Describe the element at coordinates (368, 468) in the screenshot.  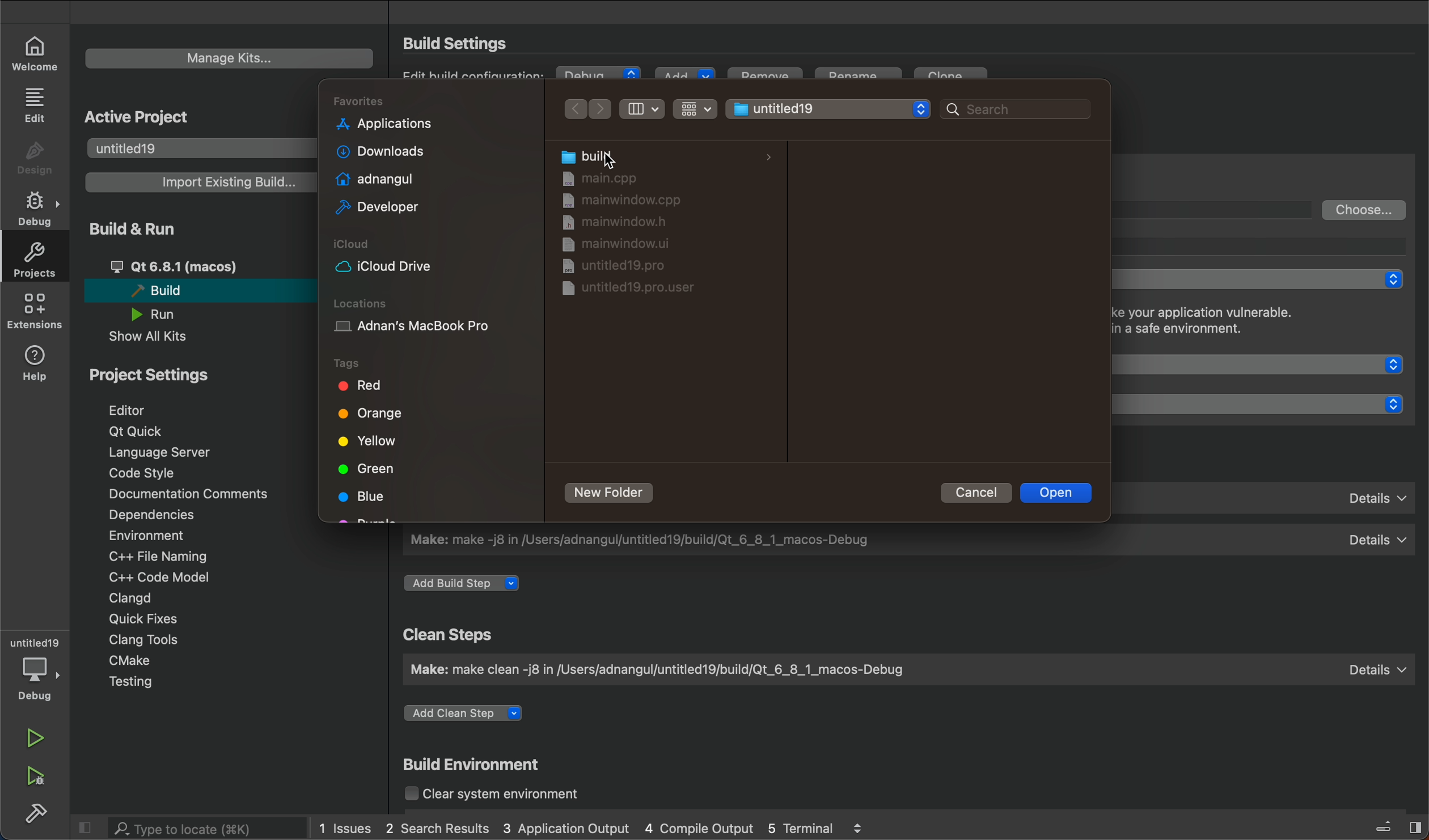
I see `green` at that location.